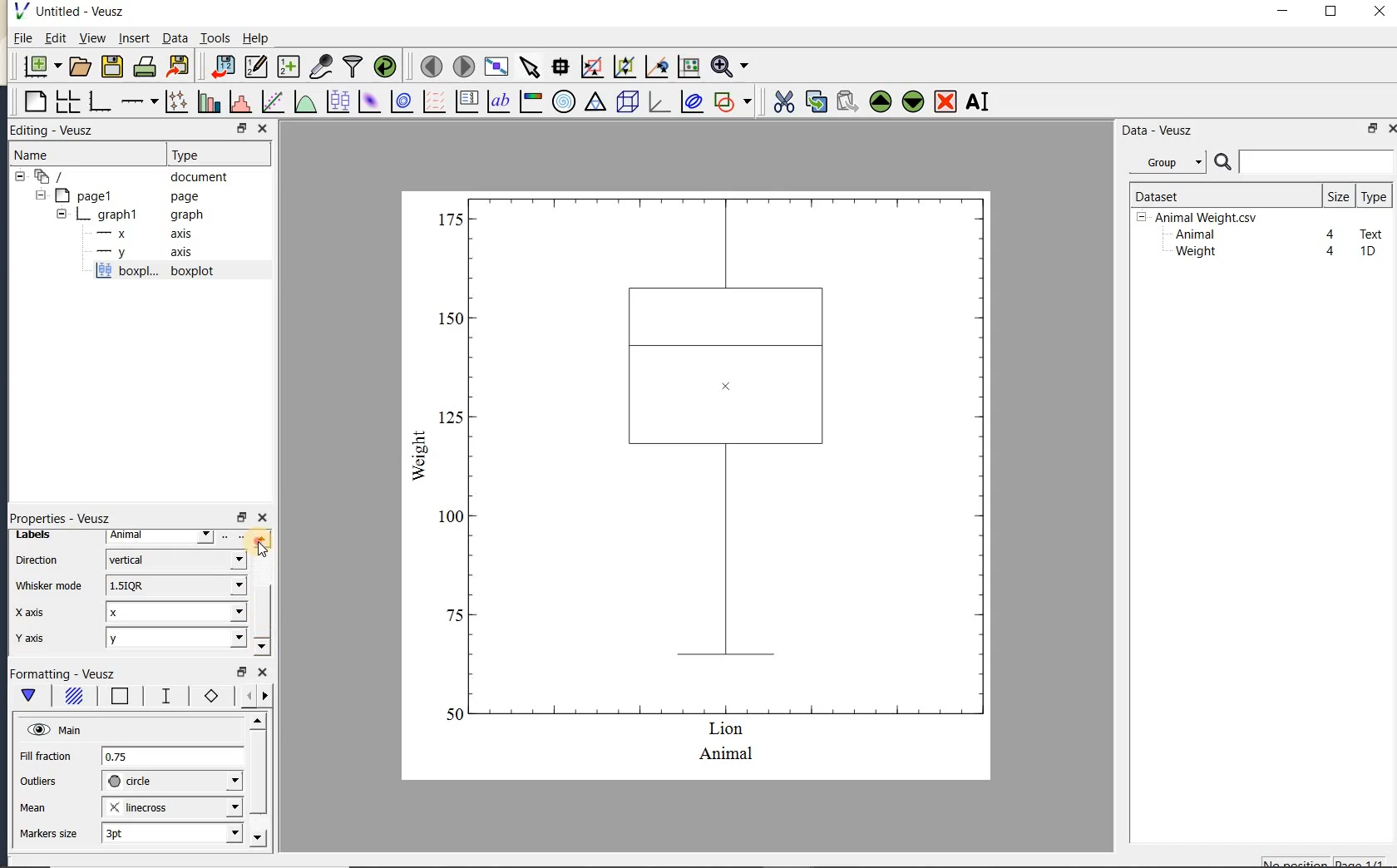 The image size is (1397, 868). Describe the element at coordinates (261, 594) in the screenshot. I see `scrollbar` at that location.